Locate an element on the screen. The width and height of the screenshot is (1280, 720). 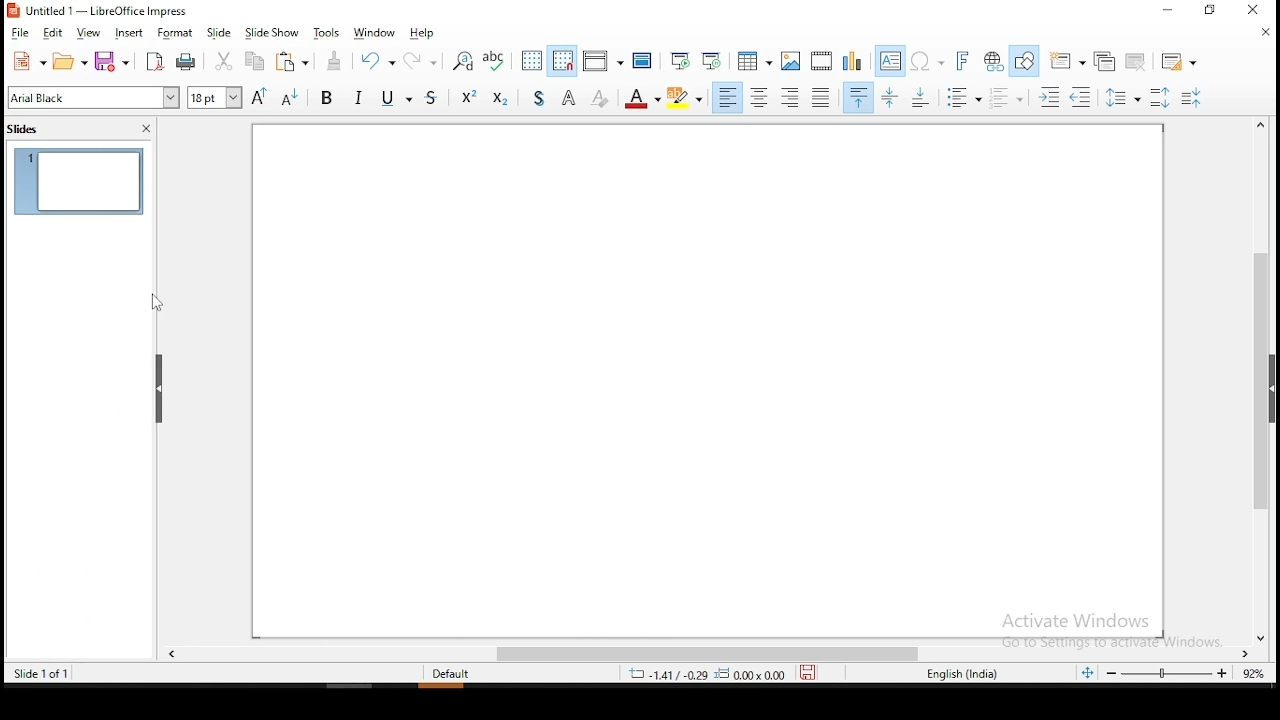
toggle unordered list is located at coordinates (966, 99).